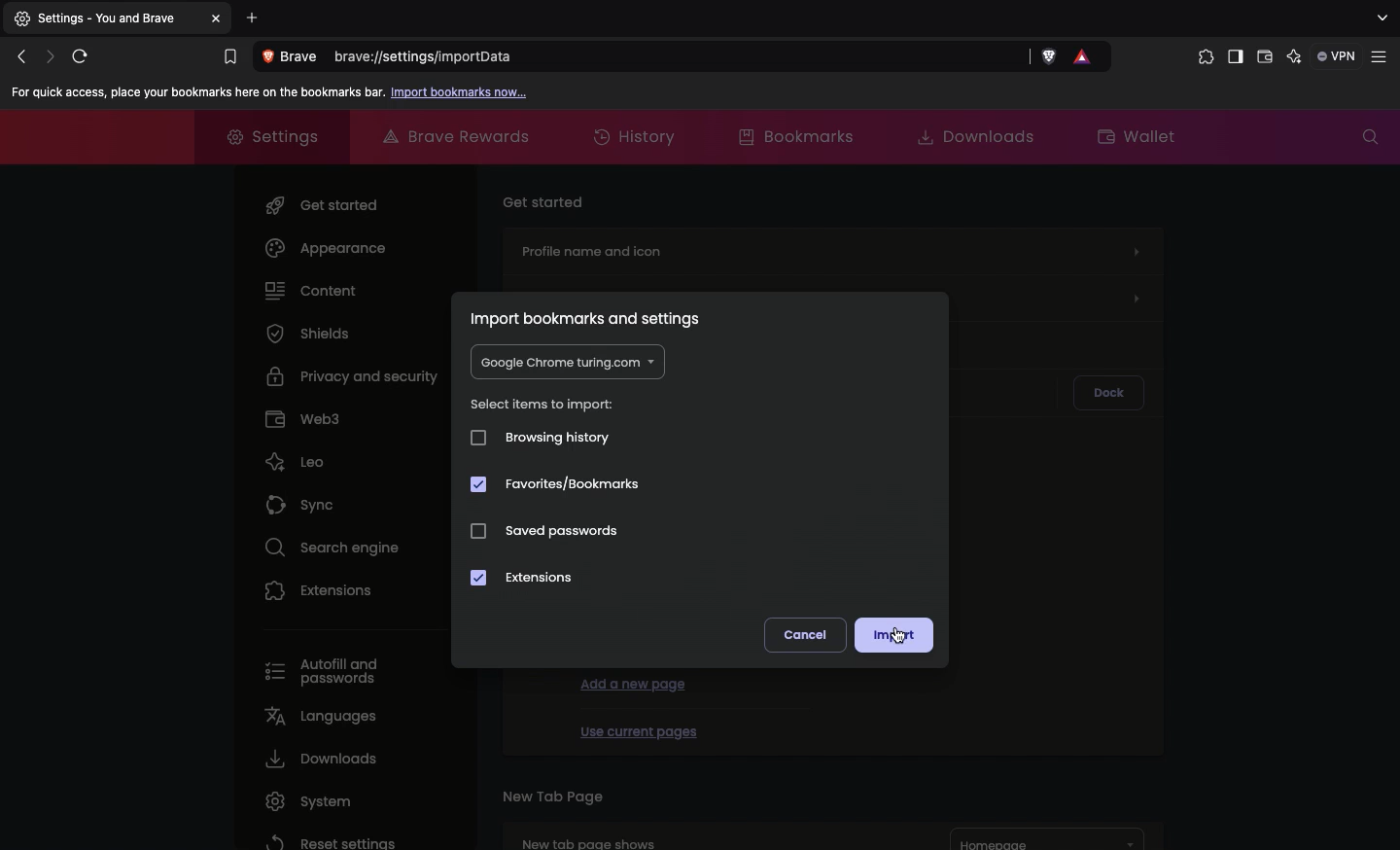  I want to click on Cancel, so click(807, 634).